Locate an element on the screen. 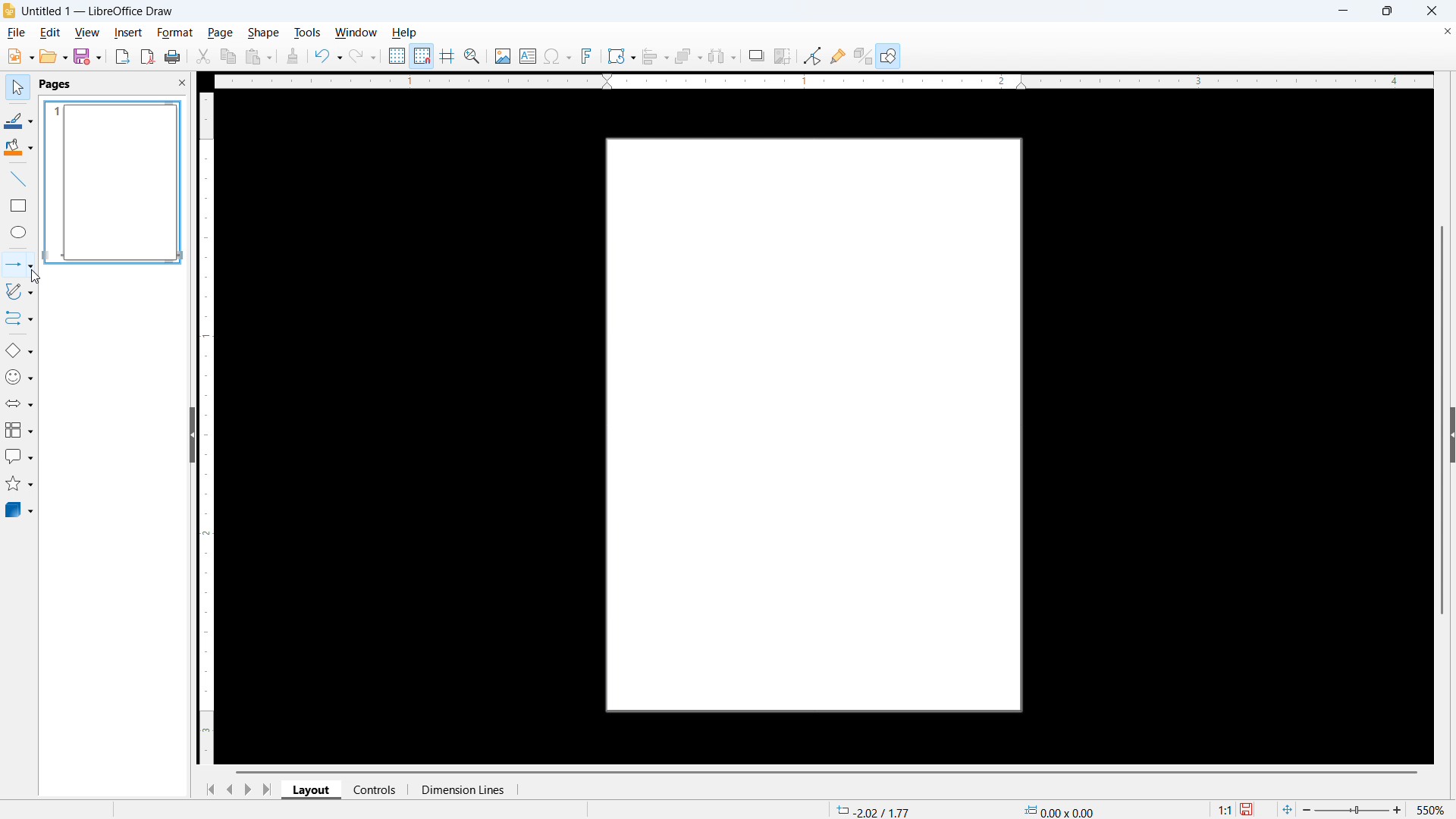 The image size is (1456, 819).  paste  is located at coordinates (259, 58).